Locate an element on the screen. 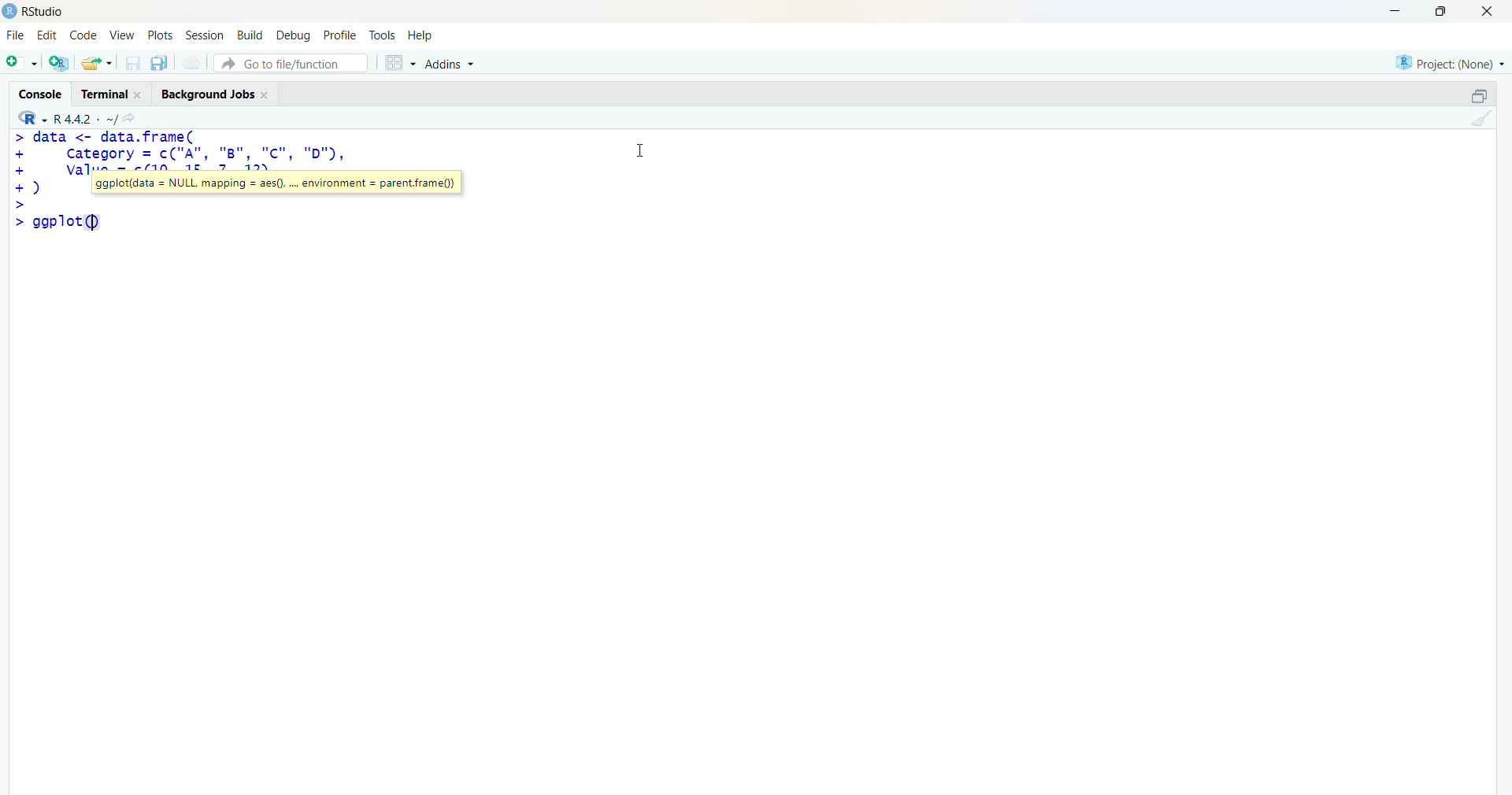 The width and height of the screenshot is (1512, 795). selected project - none is located at coordinates (1452, 62).